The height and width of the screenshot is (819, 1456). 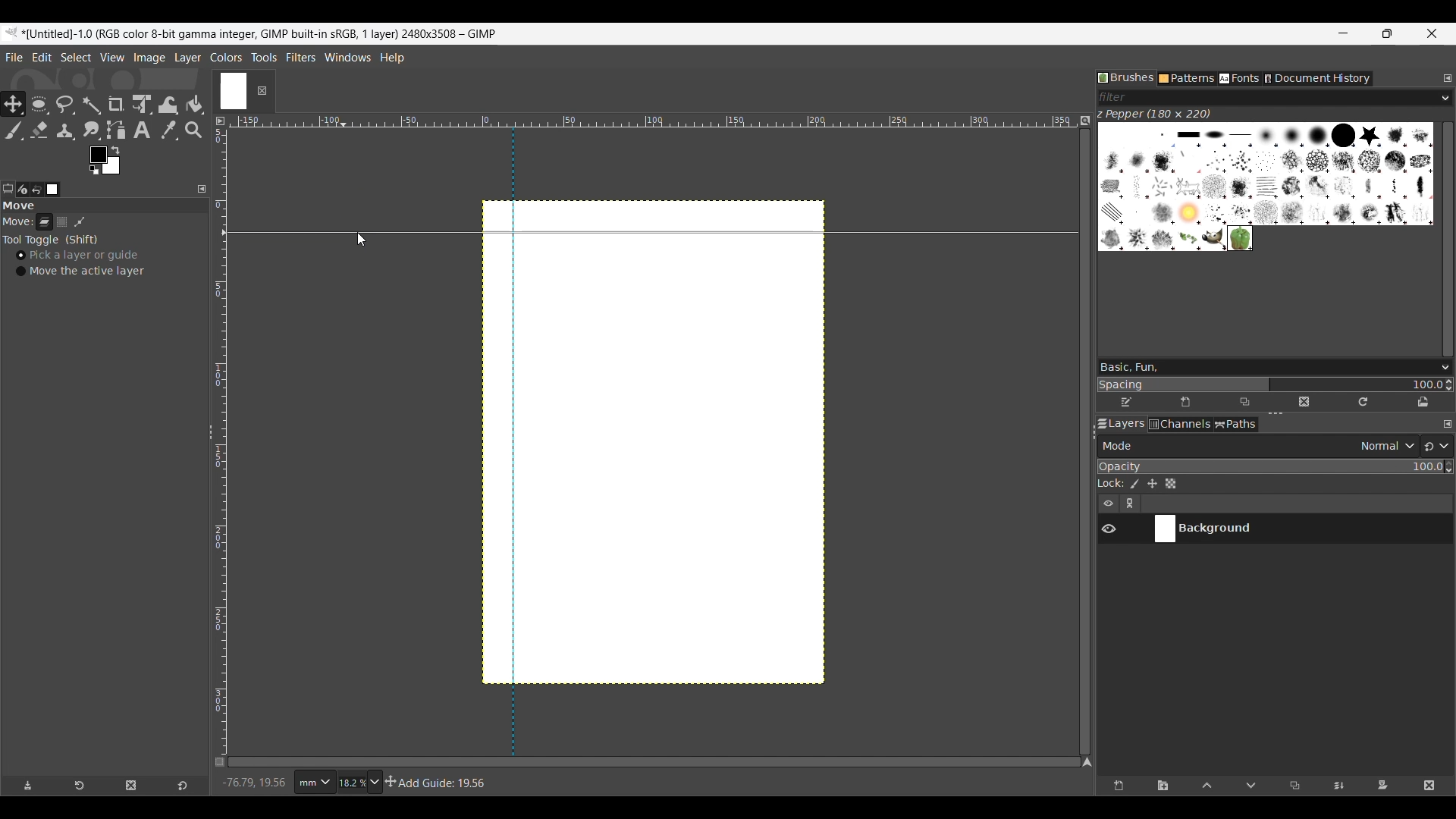 What do you see at coordinates (64, 104) in the screenshot?
I see `Free select tool` at bounding box center [64, 104].